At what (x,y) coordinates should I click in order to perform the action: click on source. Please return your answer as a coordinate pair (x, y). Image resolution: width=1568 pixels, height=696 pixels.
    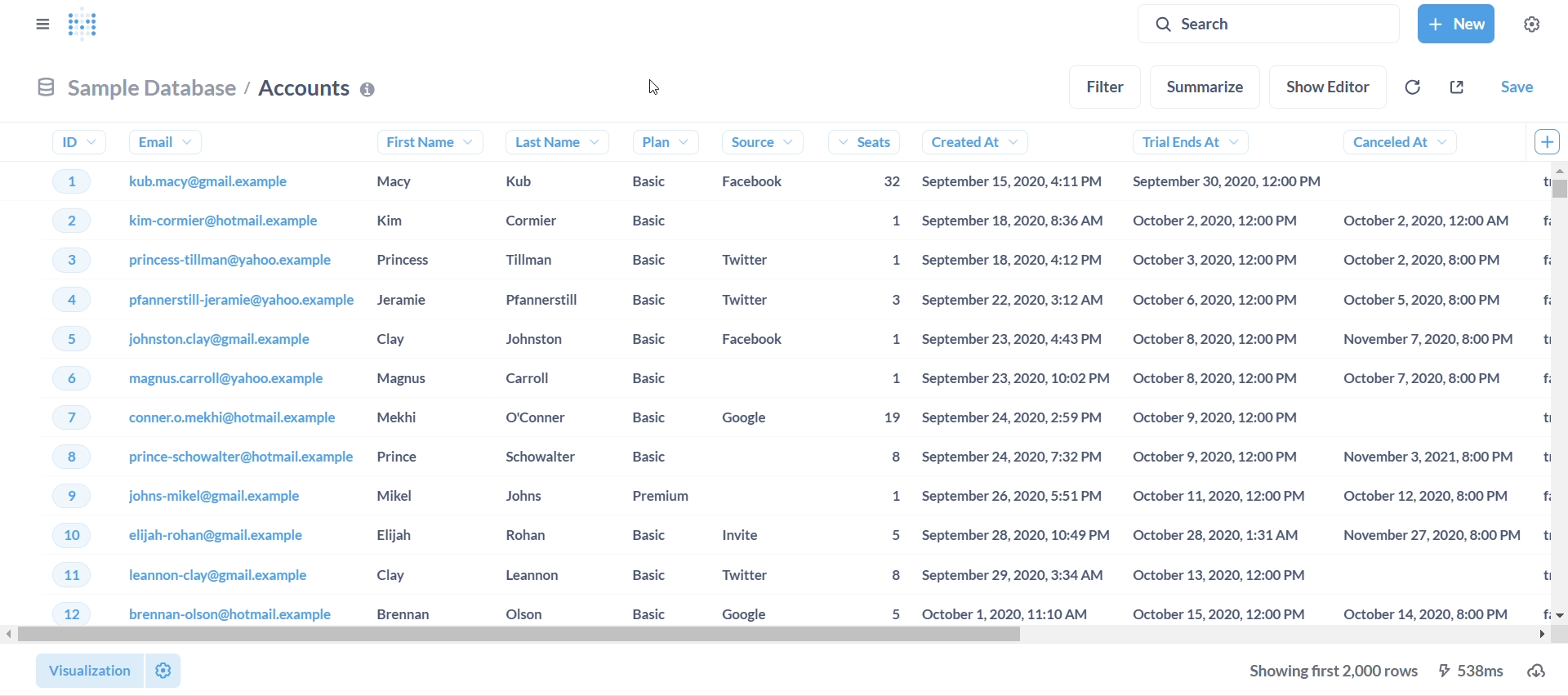
    Looking at the image, I should click on (765, 373).